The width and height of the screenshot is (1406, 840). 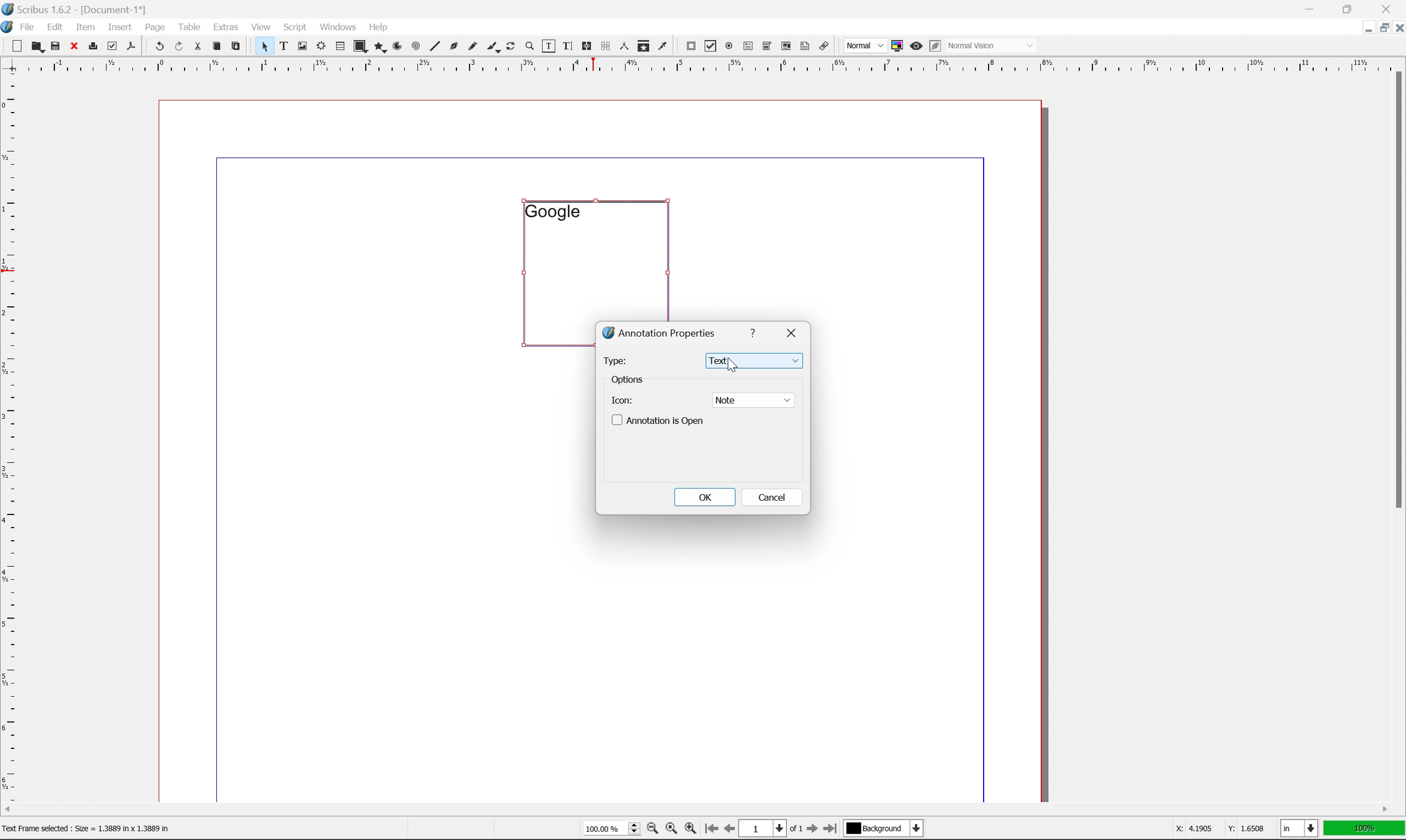 I want to click on pdf push button, so click(x=687, y=45).